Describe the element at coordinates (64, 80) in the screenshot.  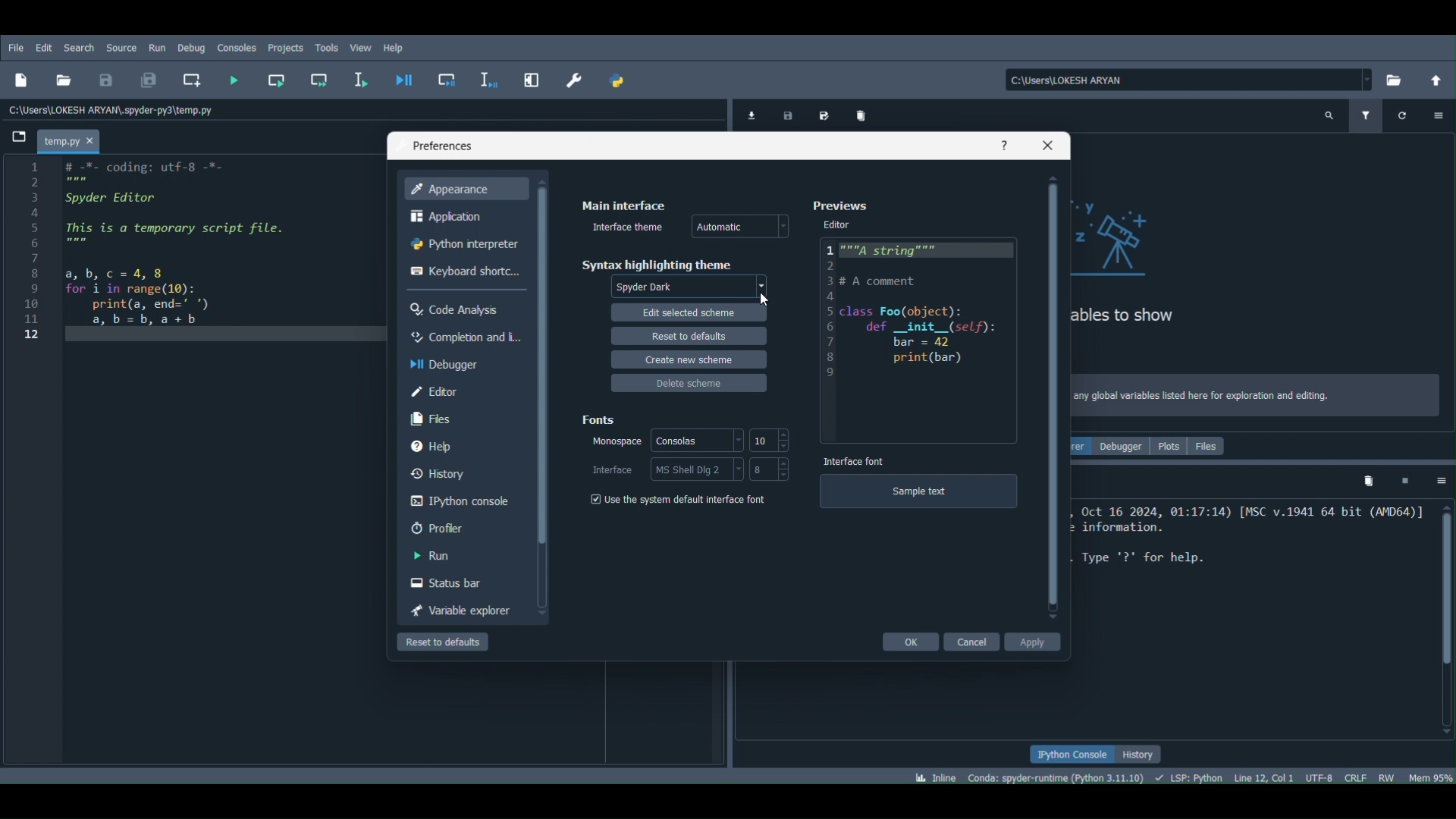
I see `Open file (Ctrl + O)` at that location.